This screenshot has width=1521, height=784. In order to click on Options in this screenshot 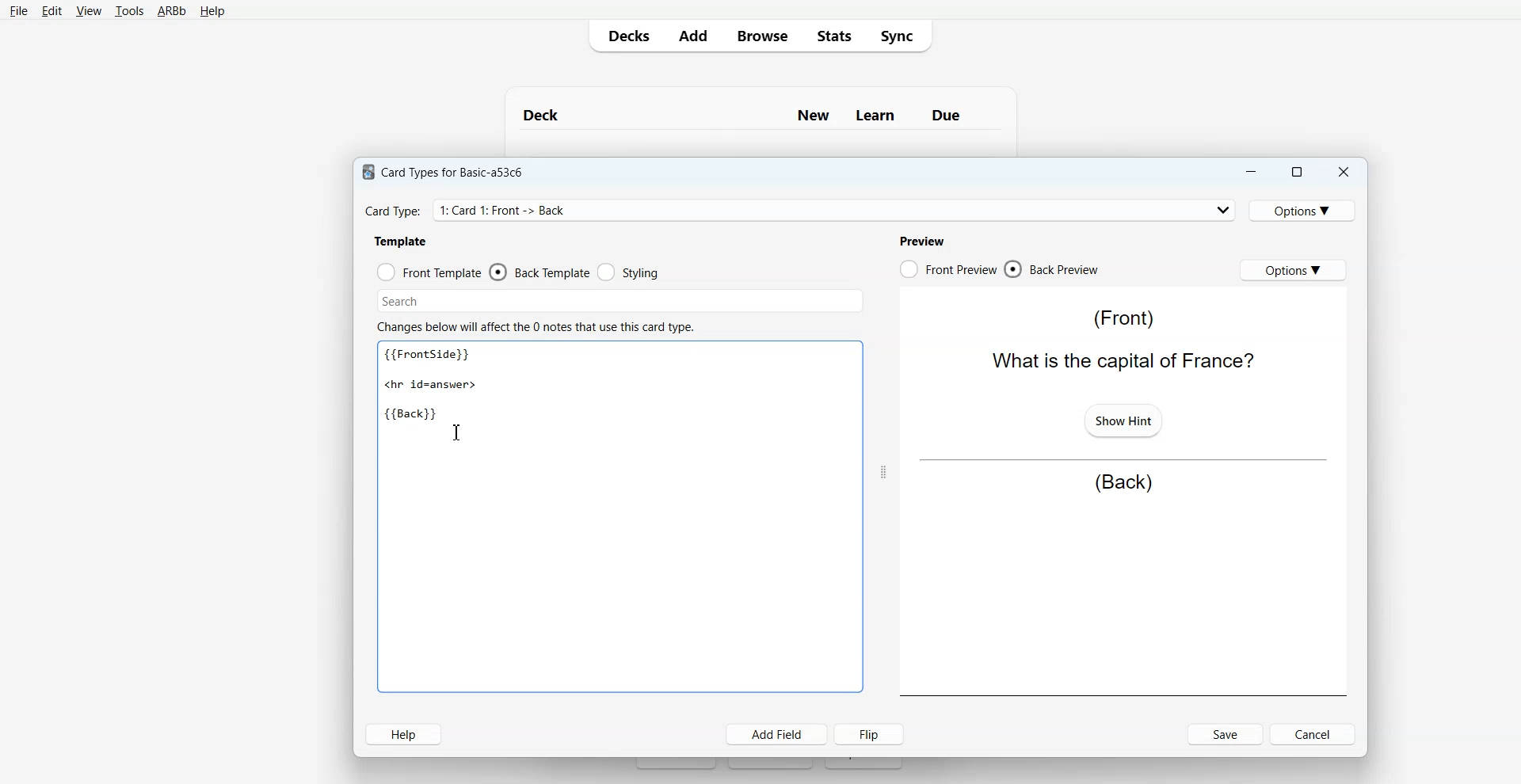, I will do `click(1305, 210)`.